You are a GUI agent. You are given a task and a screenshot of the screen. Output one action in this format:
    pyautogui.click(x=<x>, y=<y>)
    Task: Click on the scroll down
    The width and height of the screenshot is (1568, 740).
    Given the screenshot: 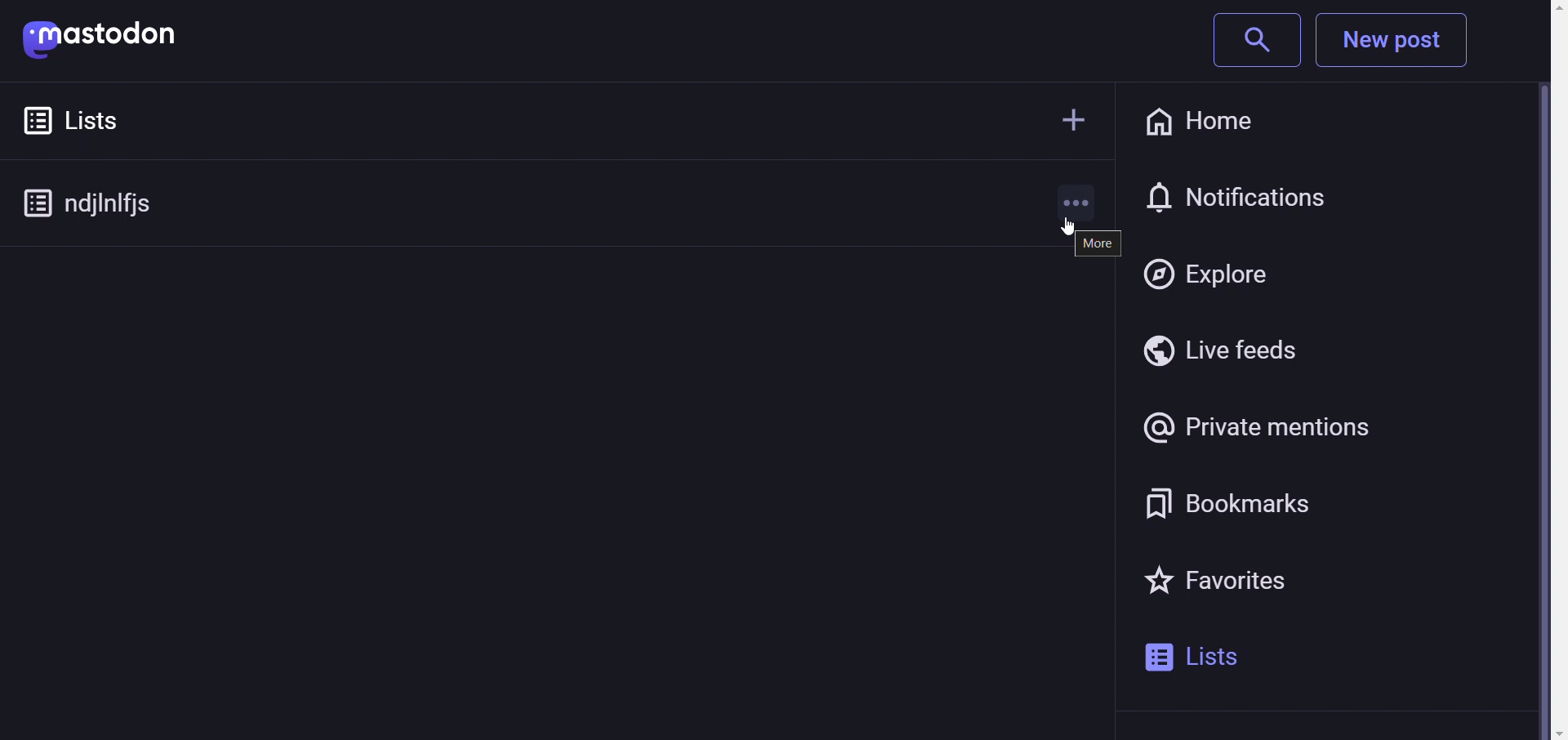 What is the action you would take?
    pyautogui.click(x=1540, y=732)
    